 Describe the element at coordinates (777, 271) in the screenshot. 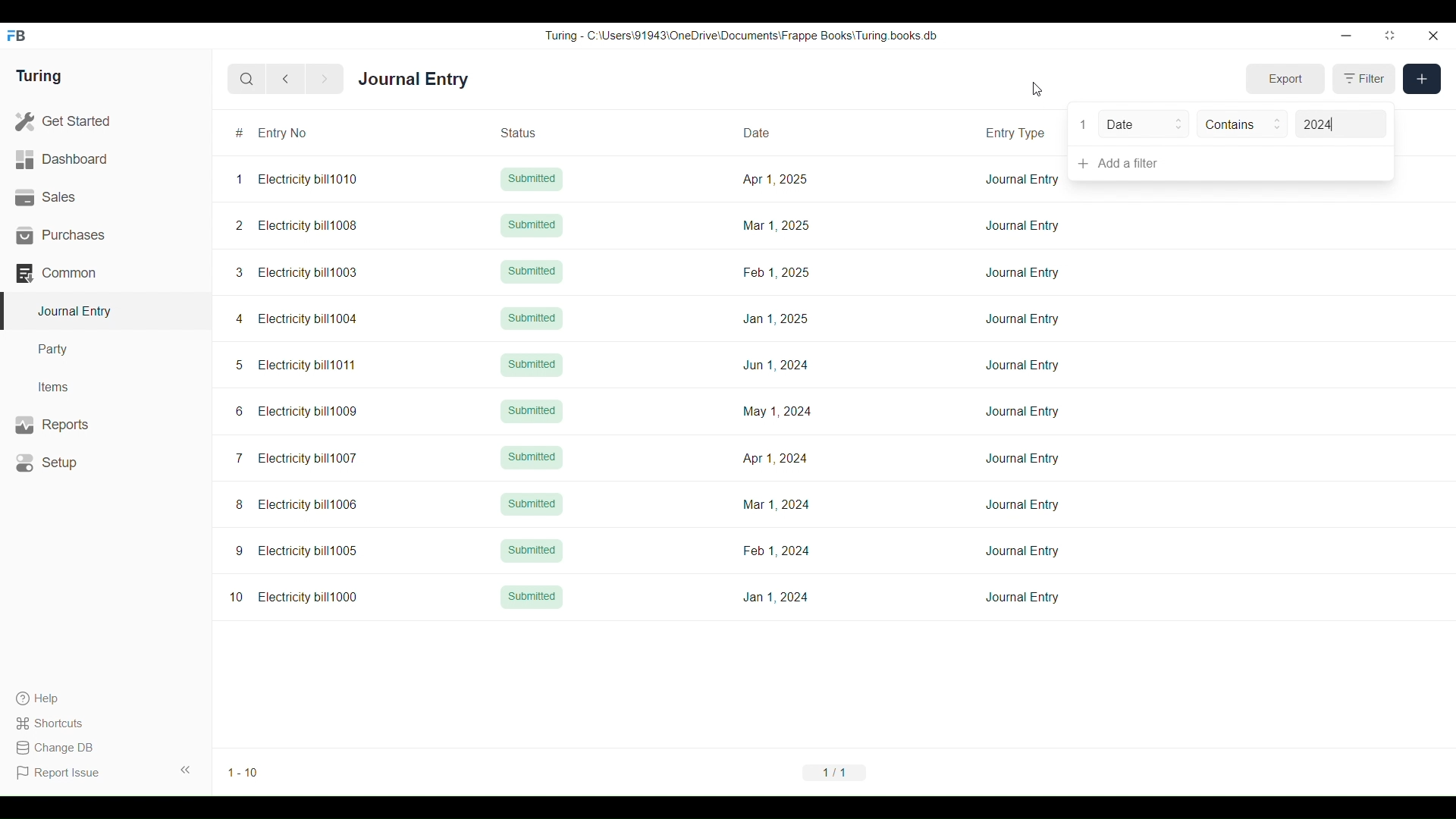

I see `Feb 1, 2025` at that location.